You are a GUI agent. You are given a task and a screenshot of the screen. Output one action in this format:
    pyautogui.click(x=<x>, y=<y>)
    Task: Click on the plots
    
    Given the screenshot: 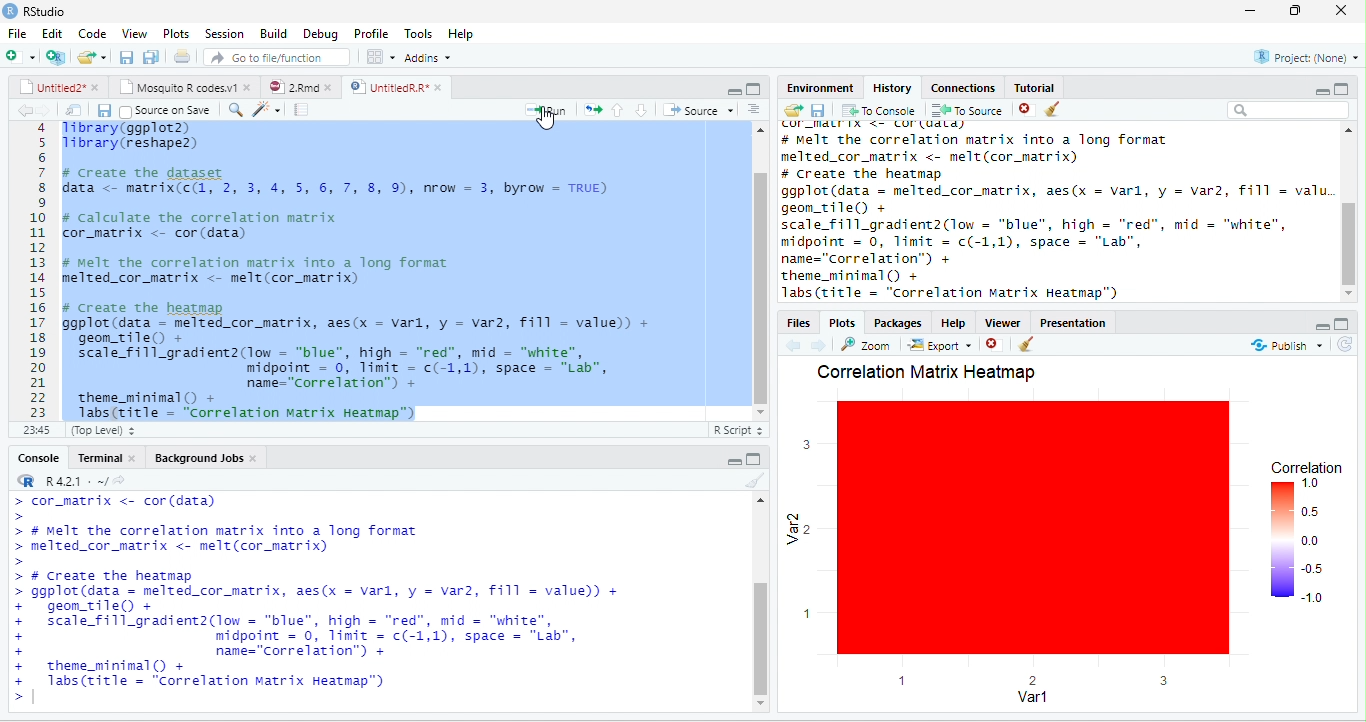 What is the action you would take?
    pyautogui.click(x=844, y=323)
    